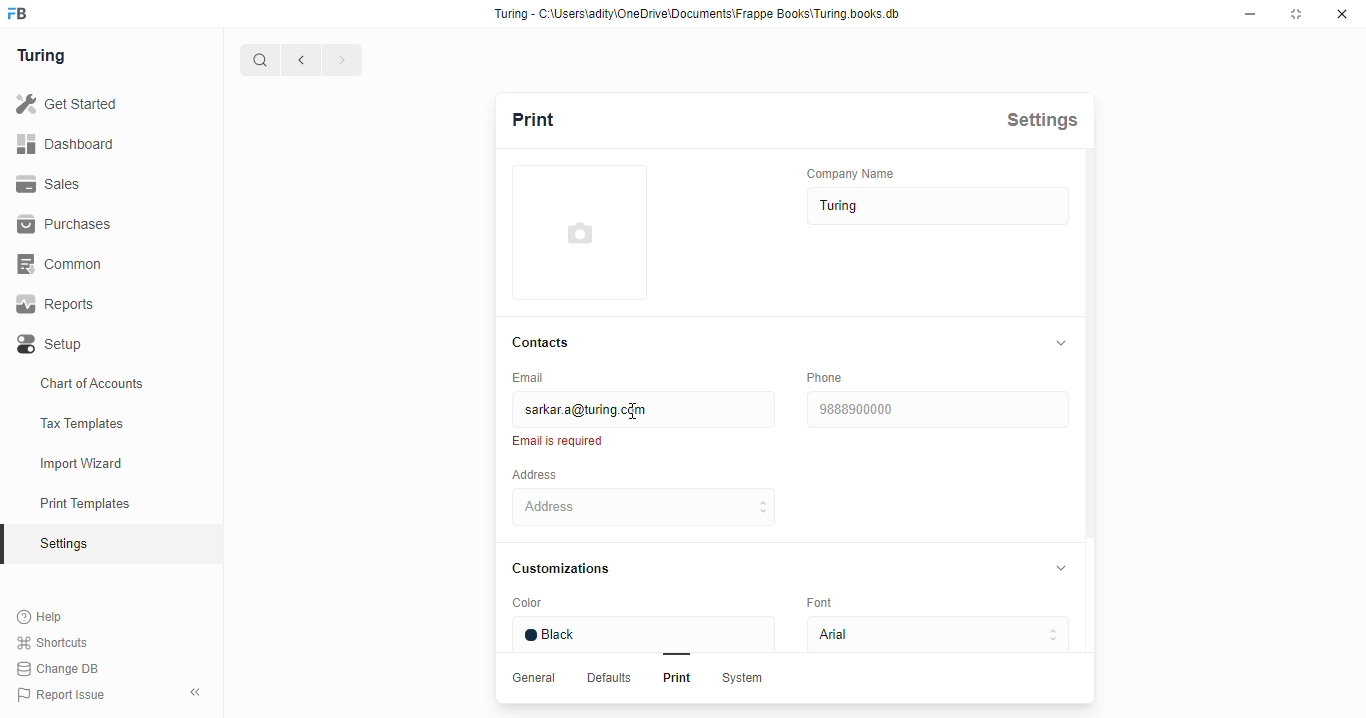  What do you see at coordinates (641, 409) in the screenshot?
I see `sarkar.a@turing.com` at bounding box center [641, 409].